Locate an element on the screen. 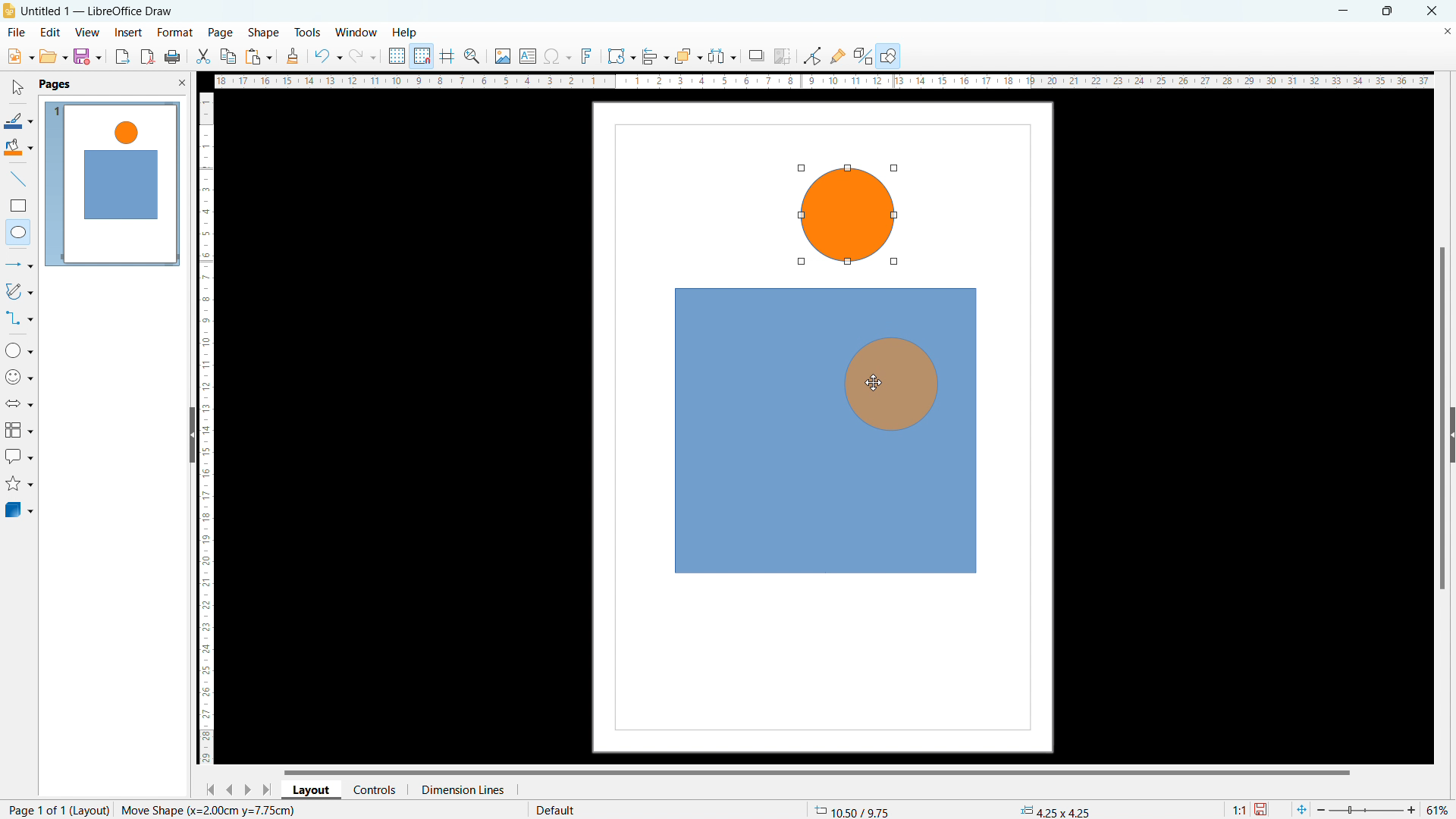 Image resolution: width=1456 pixels, height=819 pixels. tools is located at coordinates (309, 32).